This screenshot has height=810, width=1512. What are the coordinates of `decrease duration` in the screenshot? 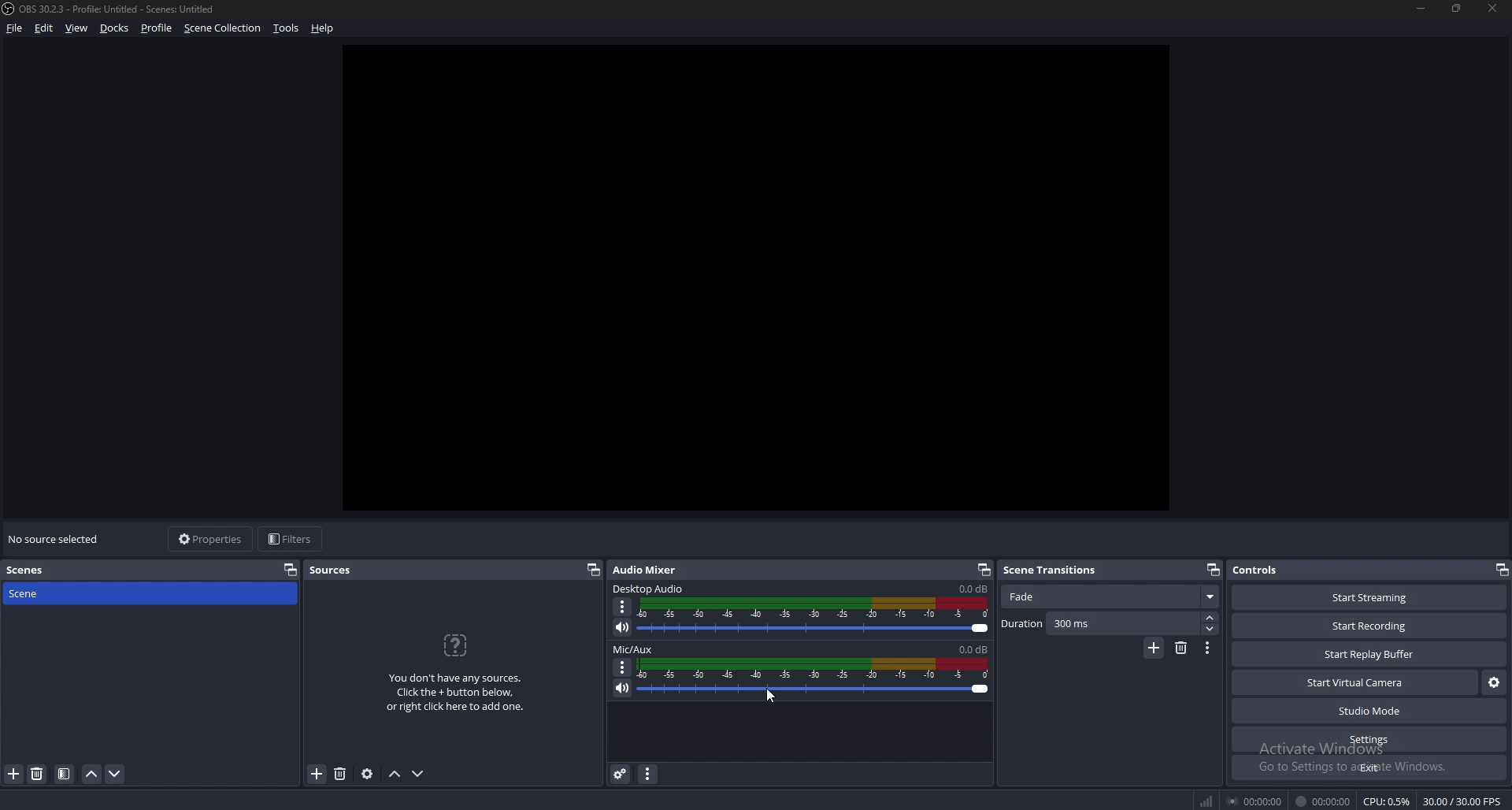 It's located at (1213, 630).